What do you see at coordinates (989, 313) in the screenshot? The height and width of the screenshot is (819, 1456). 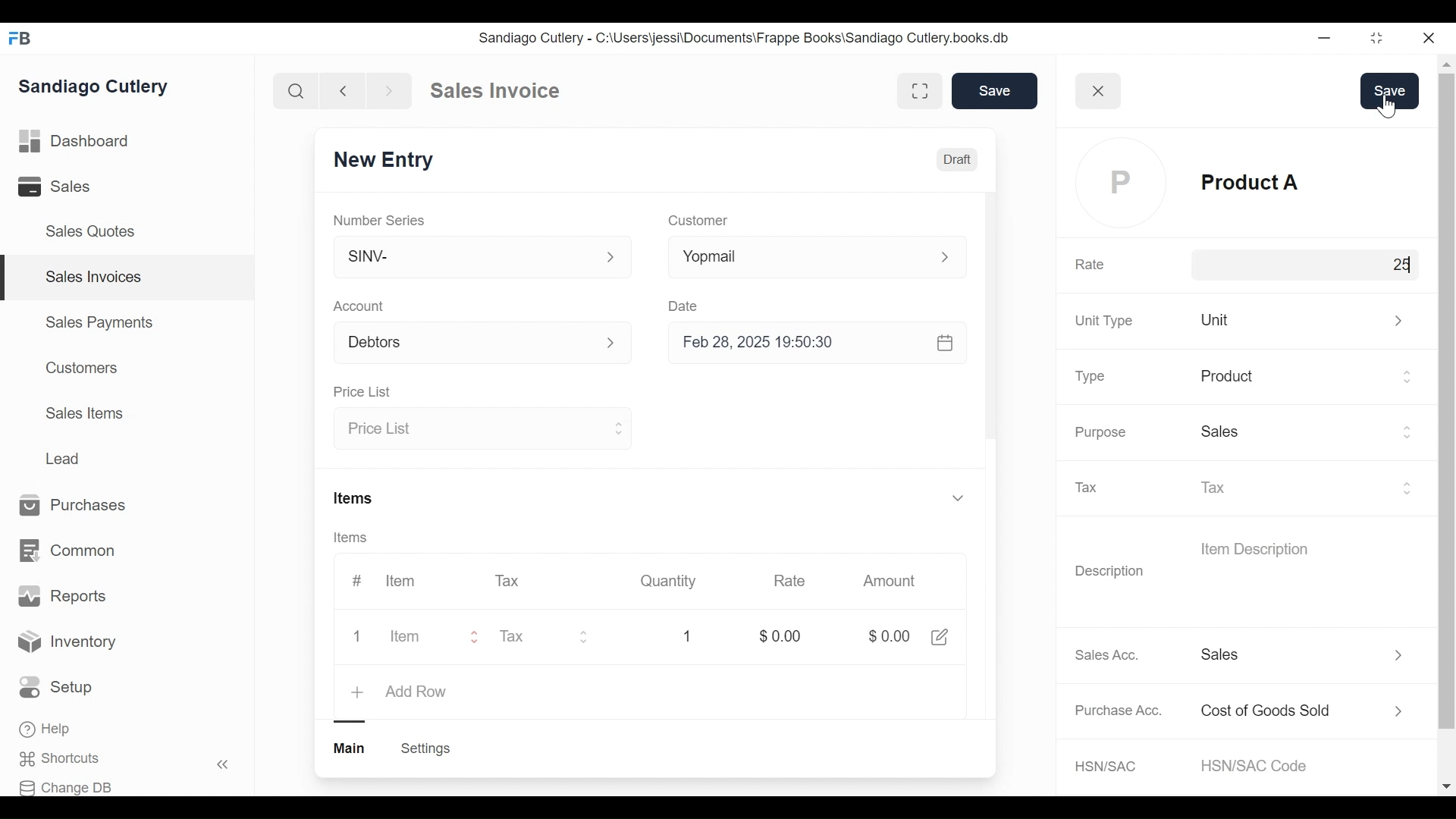 I see `scrollbar` at bounding box center [989, 313].